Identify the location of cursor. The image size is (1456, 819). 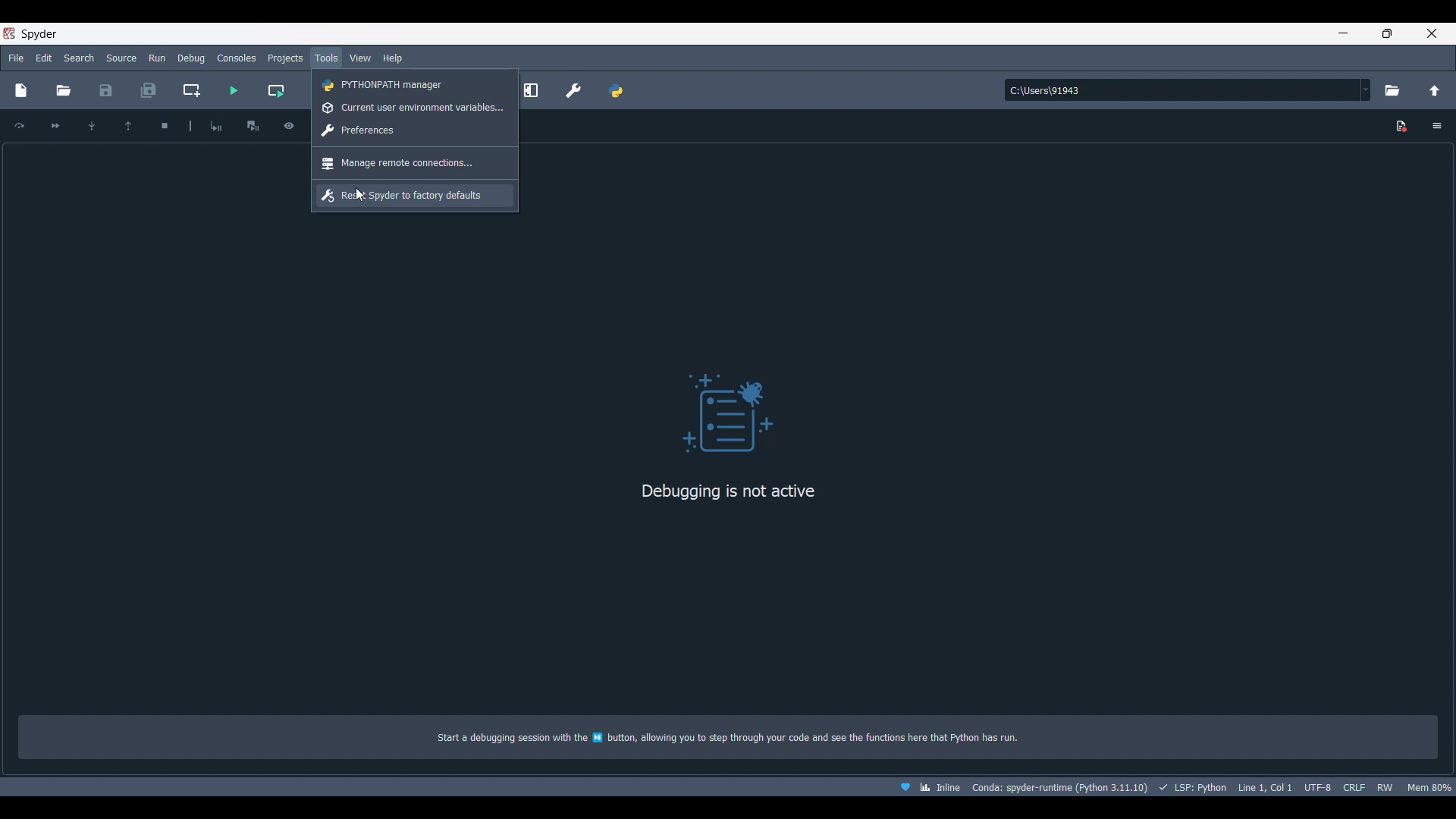
(359, 196).